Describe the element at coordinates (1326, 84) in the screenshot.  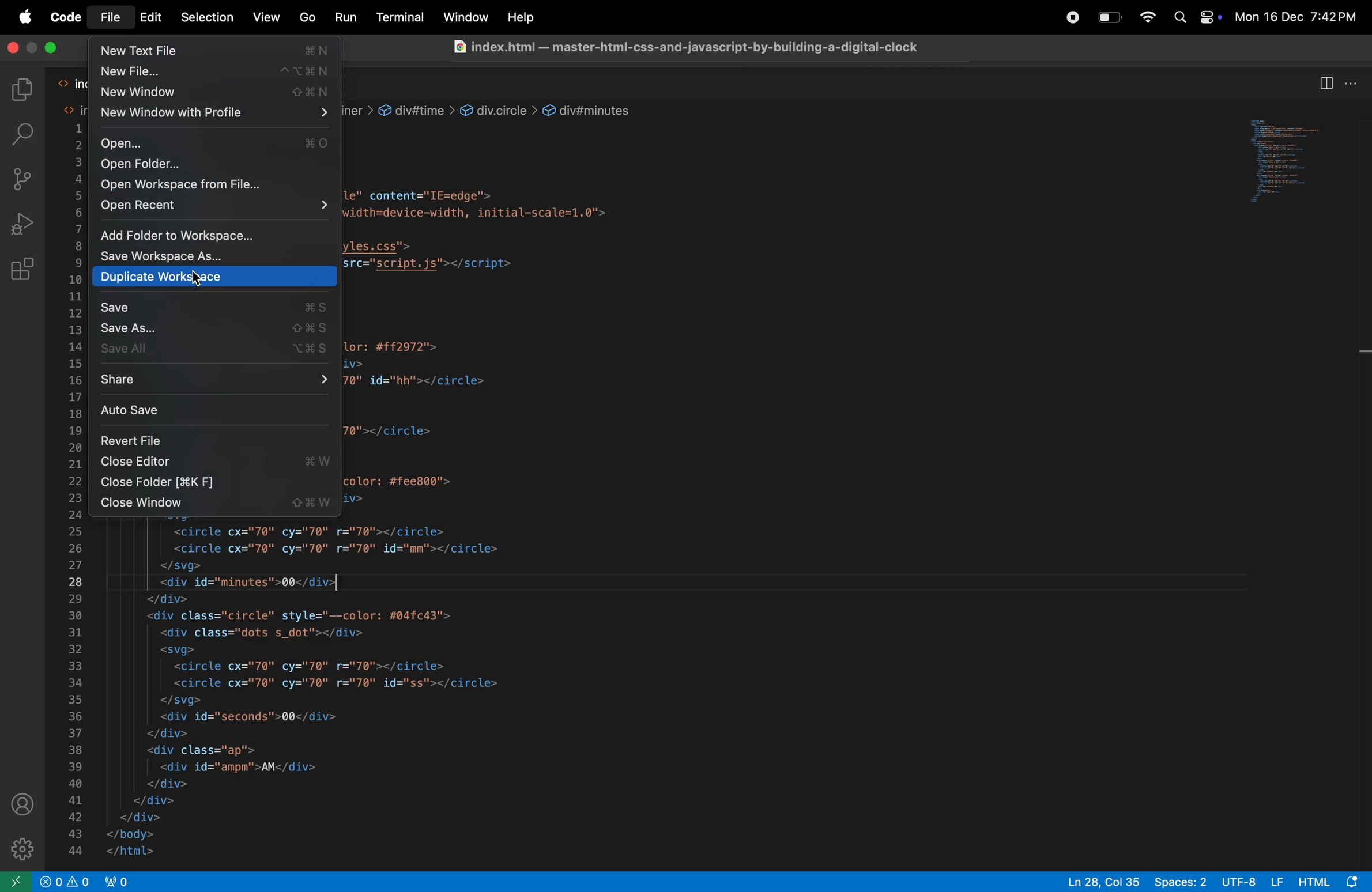
I see `split editor` at that location.